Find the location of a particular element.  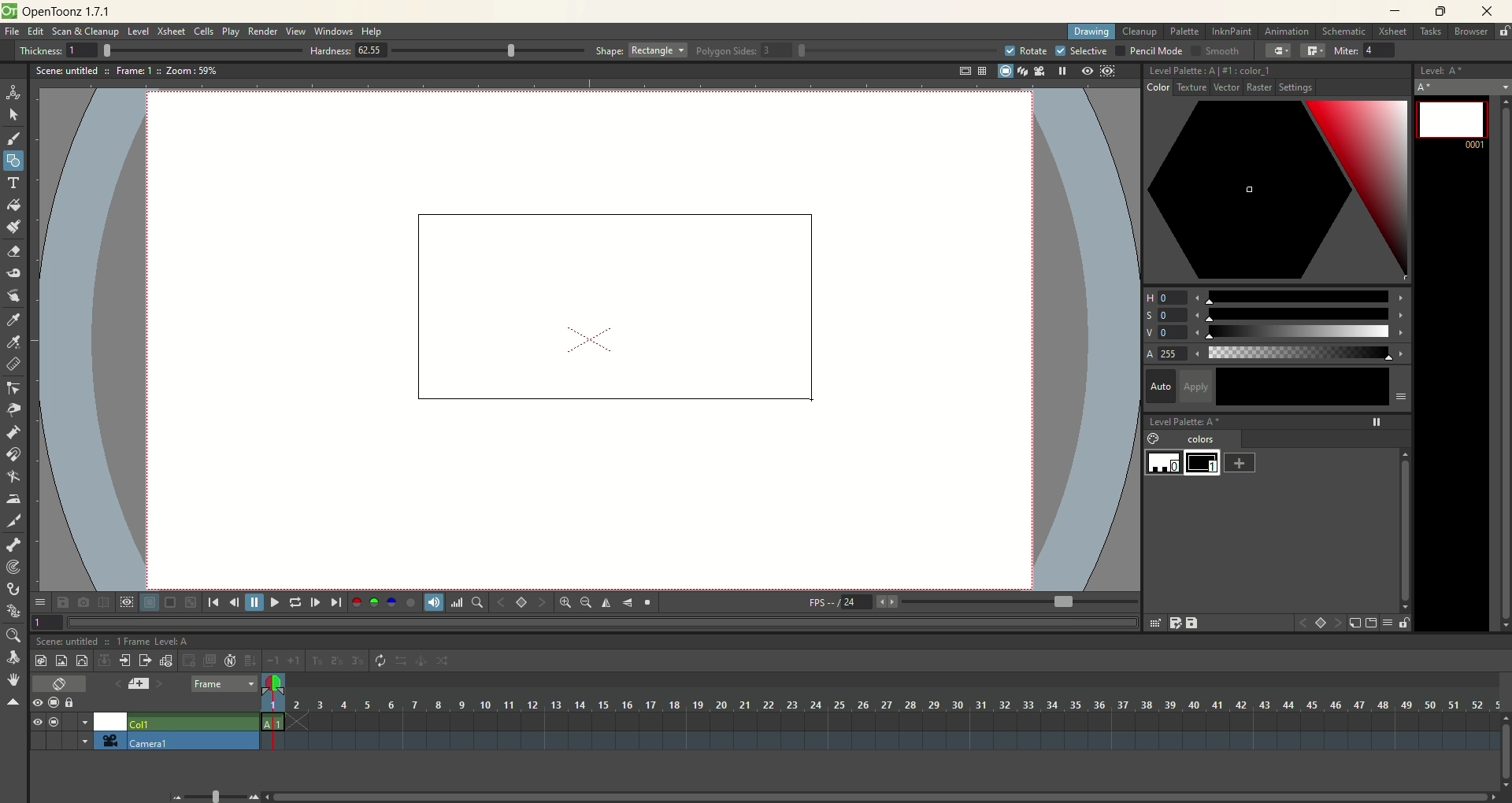

rotate is located at coordinates (16, 658).